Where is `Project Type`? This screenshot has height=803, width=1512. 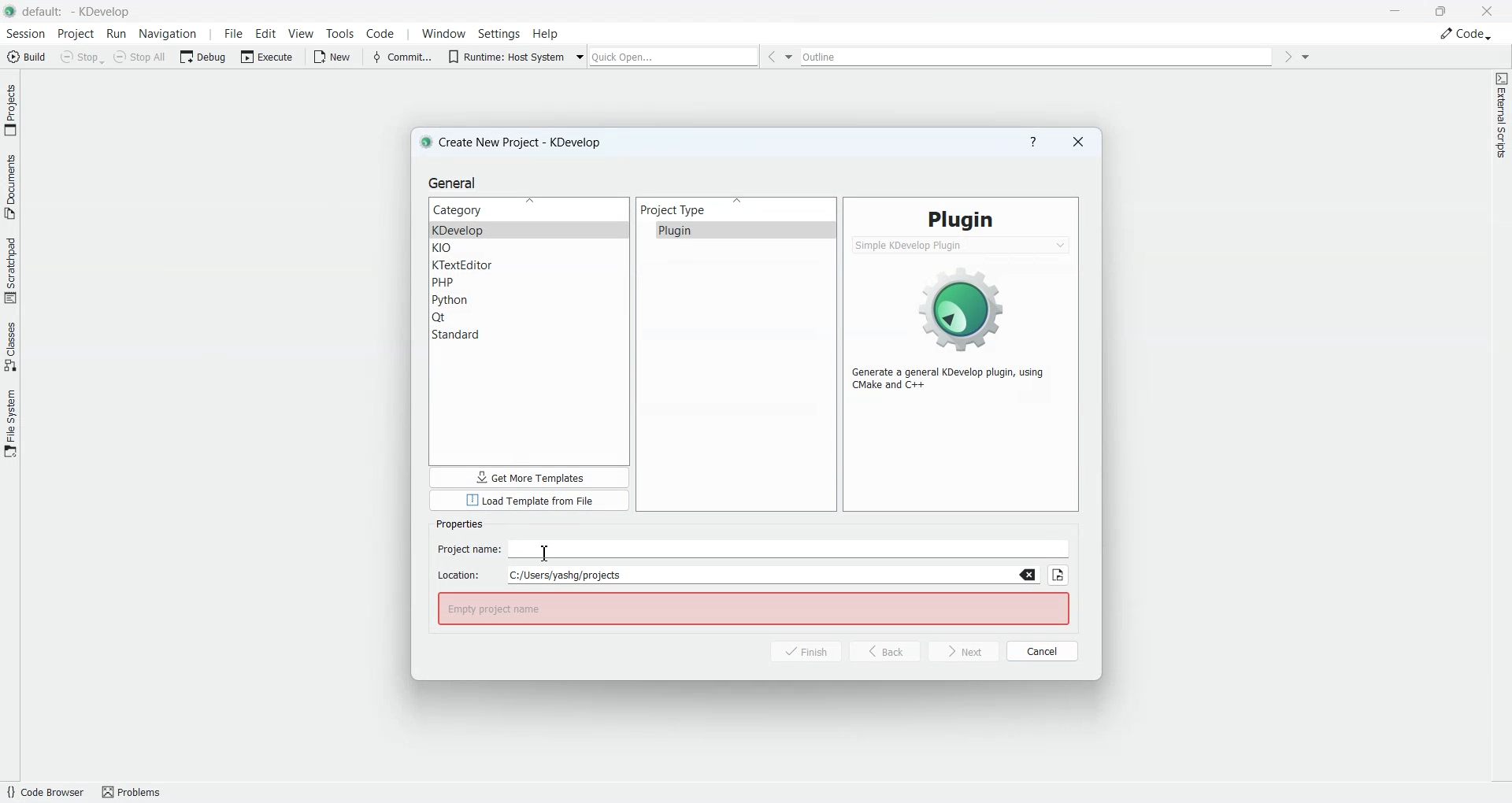
Project Type is located at coordinates (736, 209).